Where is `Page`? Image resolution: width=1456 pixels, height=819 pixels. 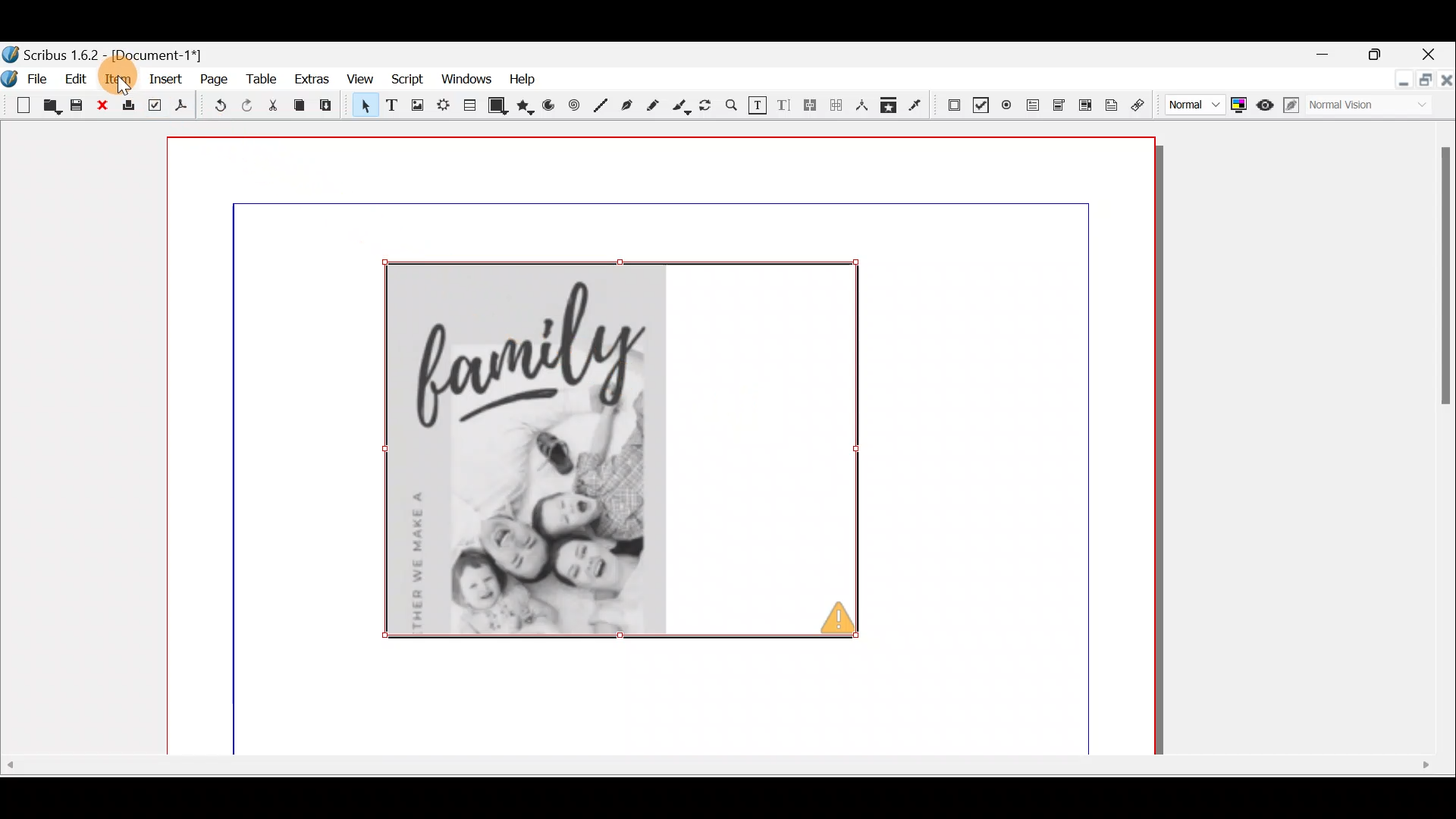
Page is located at coordinates (212, 82).